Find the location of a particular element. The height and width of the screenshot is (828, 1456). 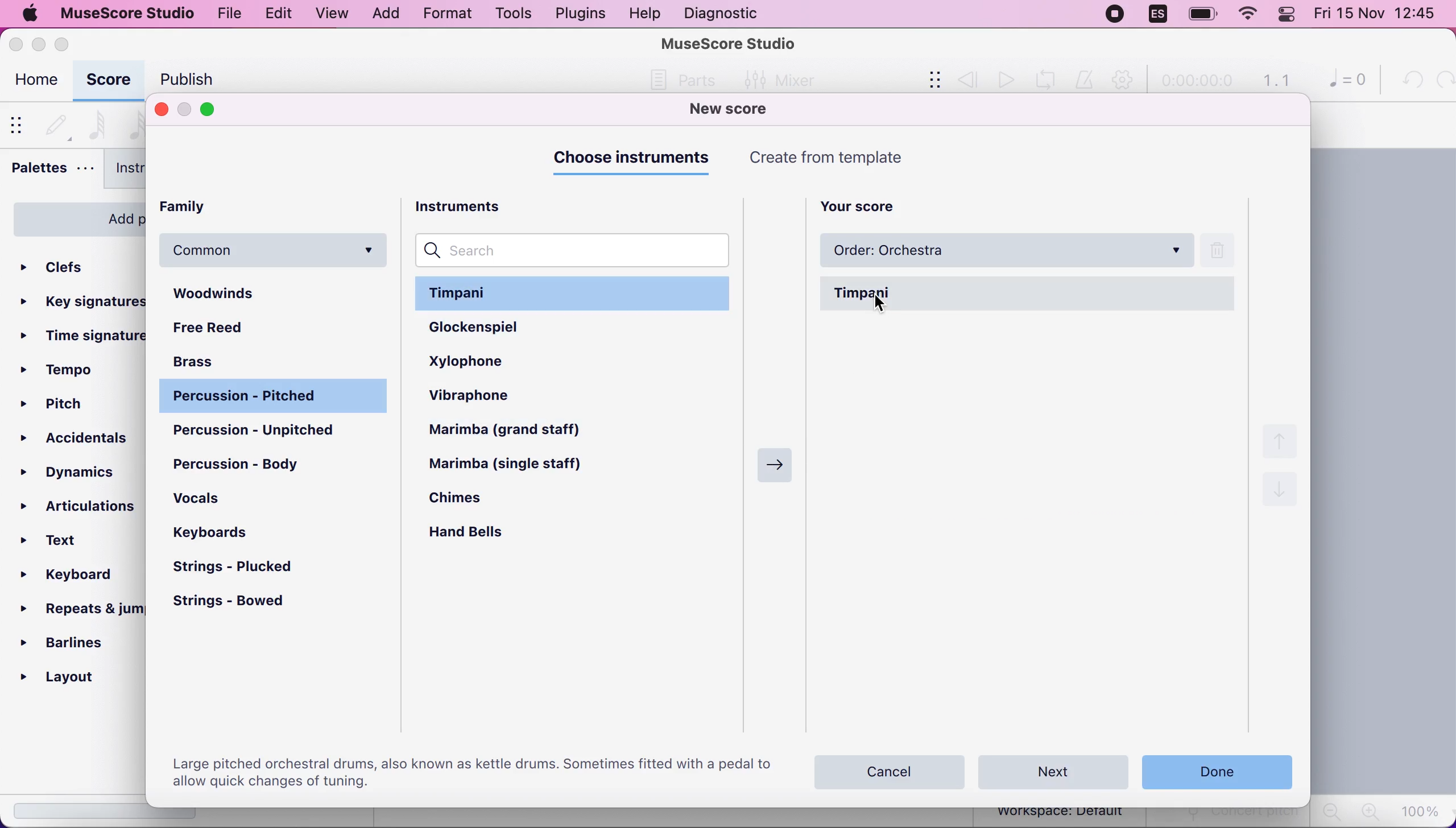

Mixer is located at coordinates (776, 78).